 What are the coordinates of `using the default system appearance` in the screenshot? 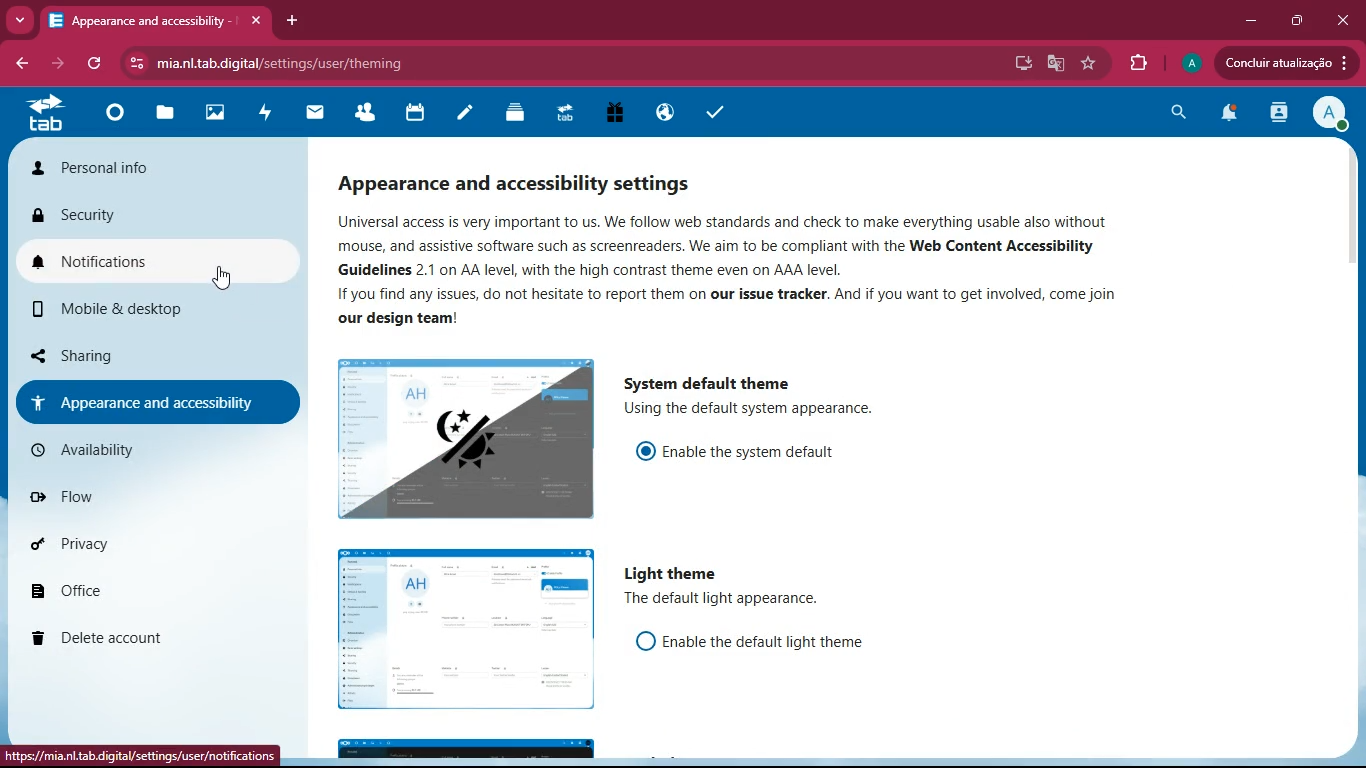 It's located at (808, 411).